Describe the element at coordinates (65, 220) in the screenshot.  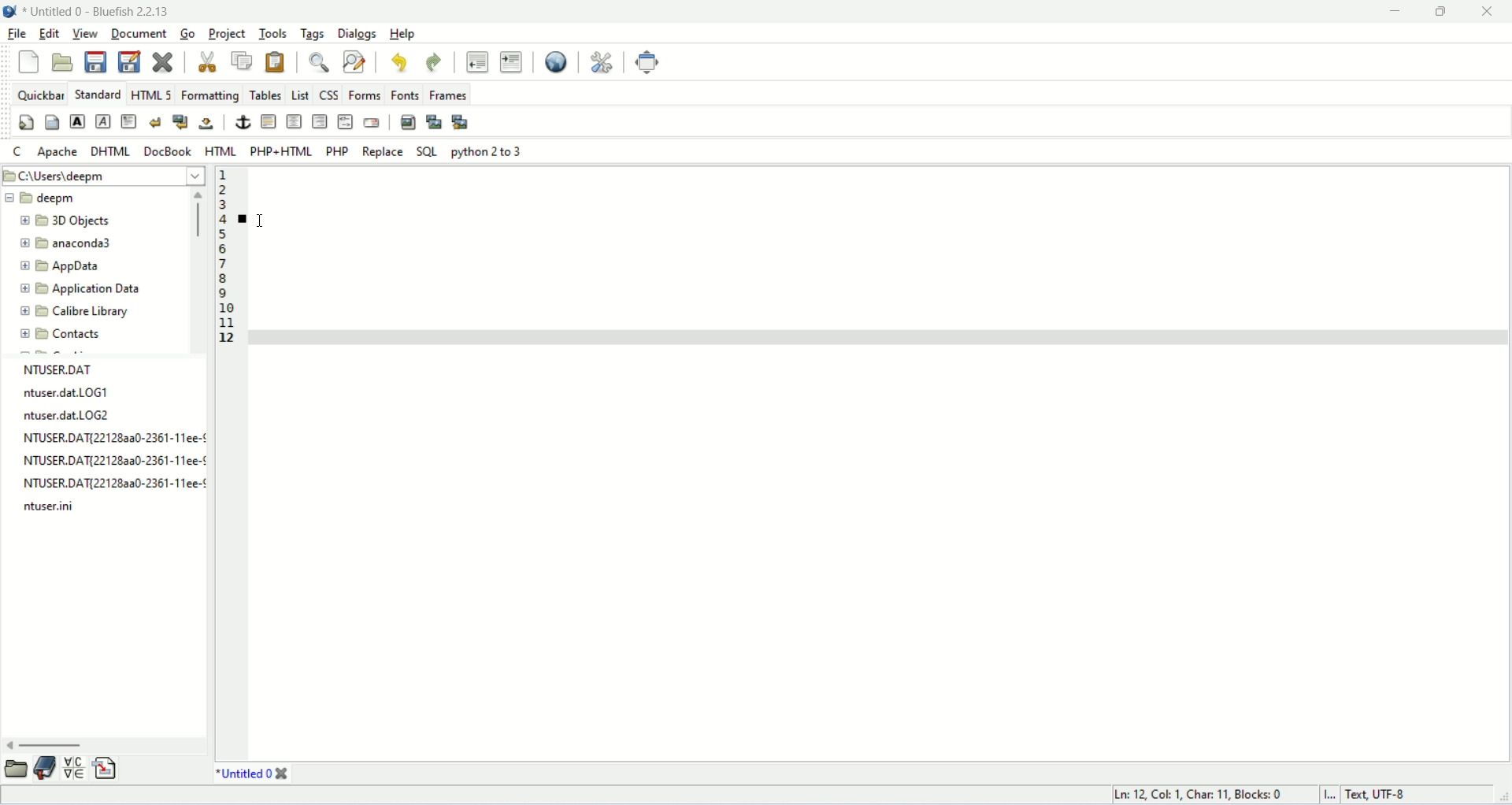
I see `3D object` at that location.